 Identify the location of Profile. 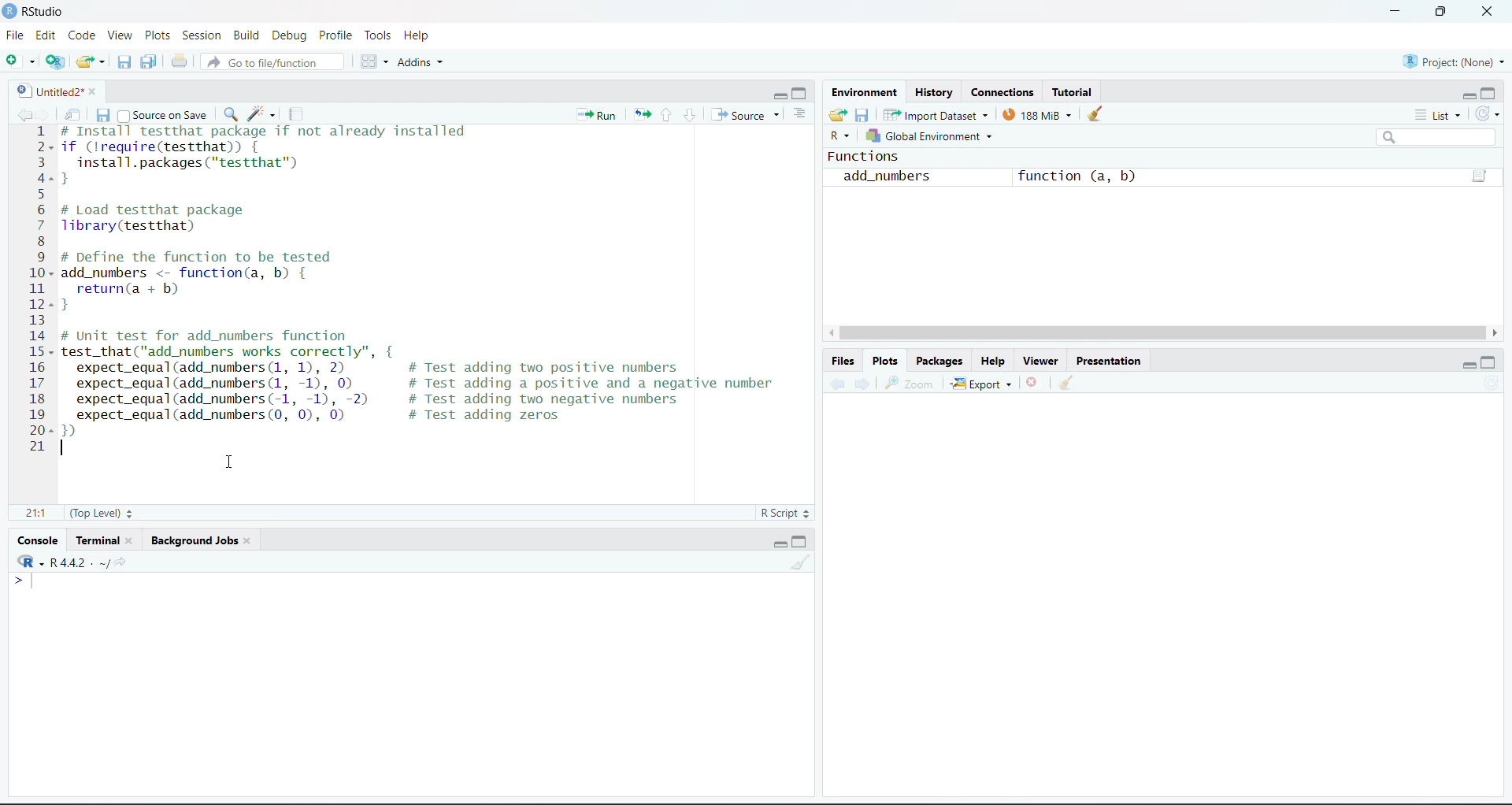
(339, 33).